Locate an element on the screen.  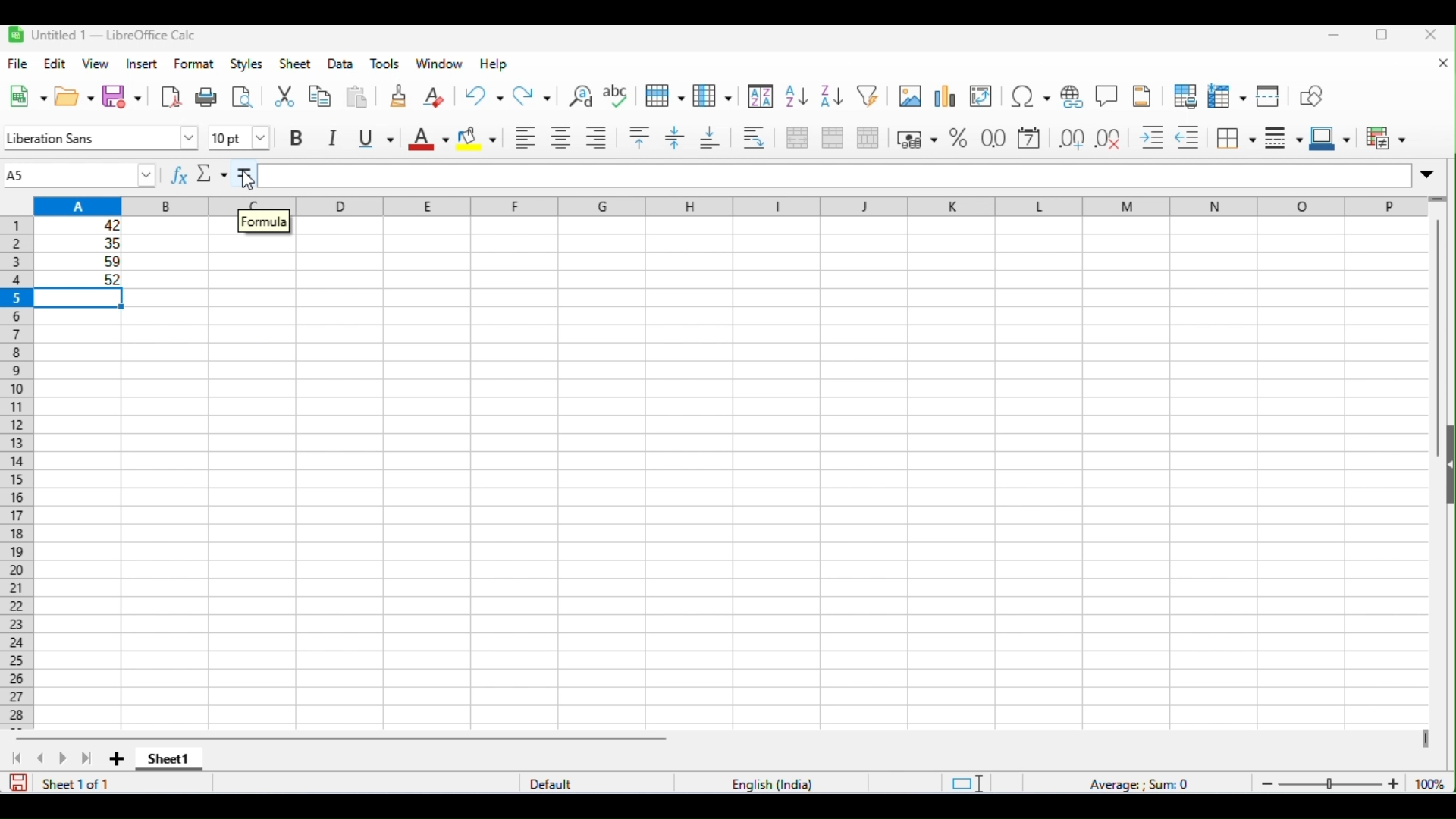
expand is located at coordinates (1429, 173).